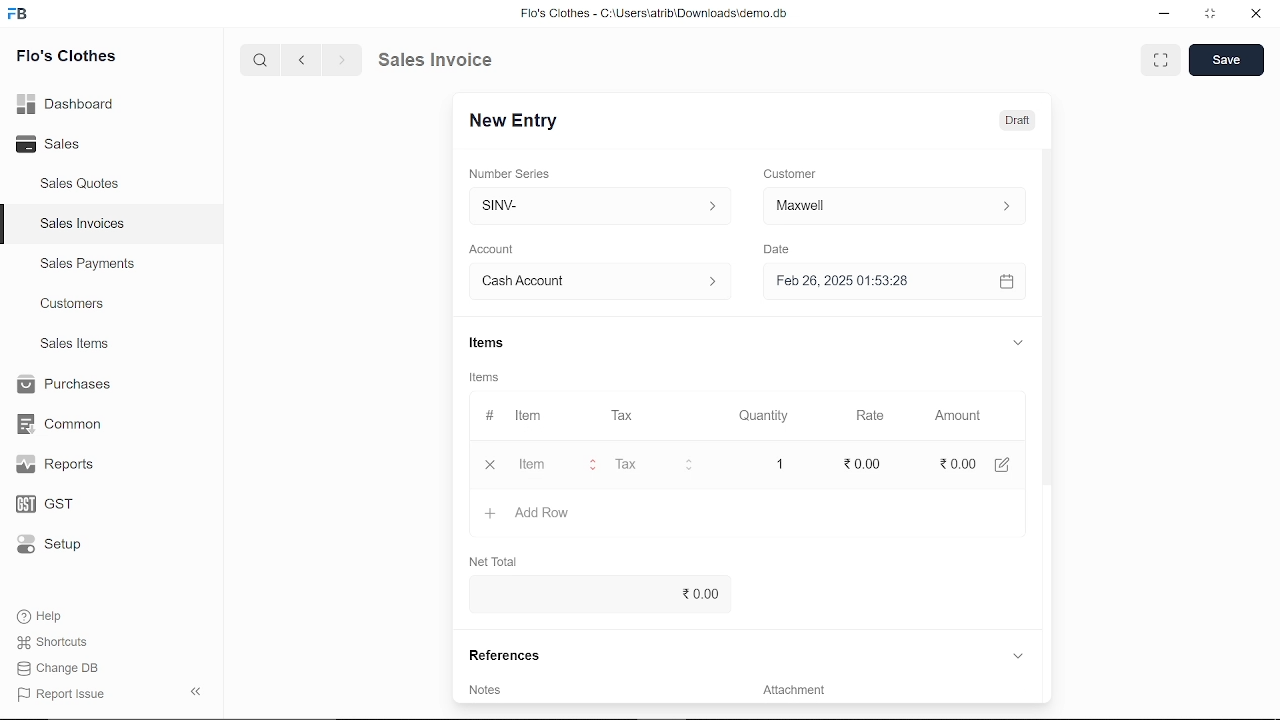 Image resolution: width=1280 pixels, height=720 pixels. I want to click on Notes, so click(493, 690).